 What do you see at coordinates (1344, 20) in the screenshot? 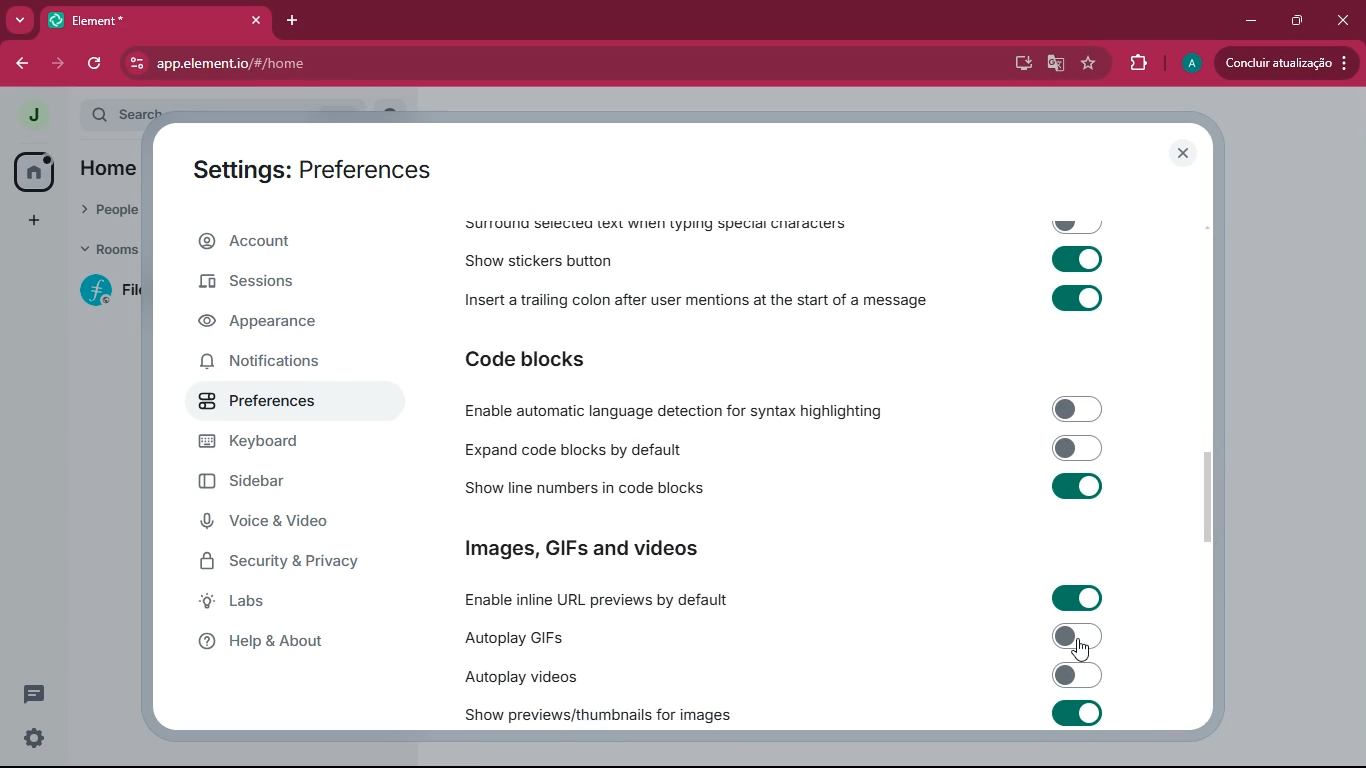
I see `close` at bounding box center [1344, 20].